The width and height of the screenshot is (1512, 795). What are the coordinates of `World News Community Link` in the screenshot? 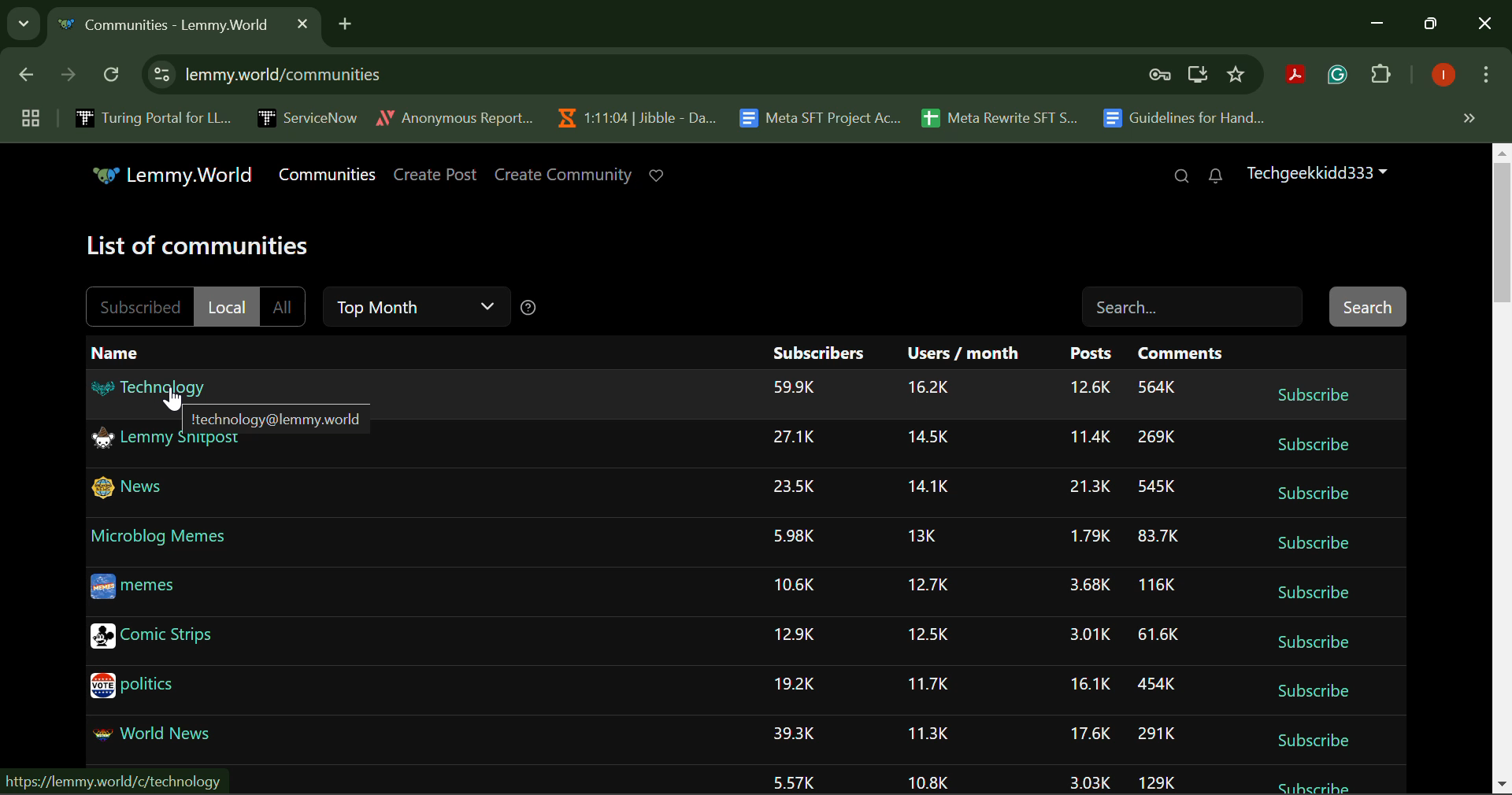 It's located at (166, 735).